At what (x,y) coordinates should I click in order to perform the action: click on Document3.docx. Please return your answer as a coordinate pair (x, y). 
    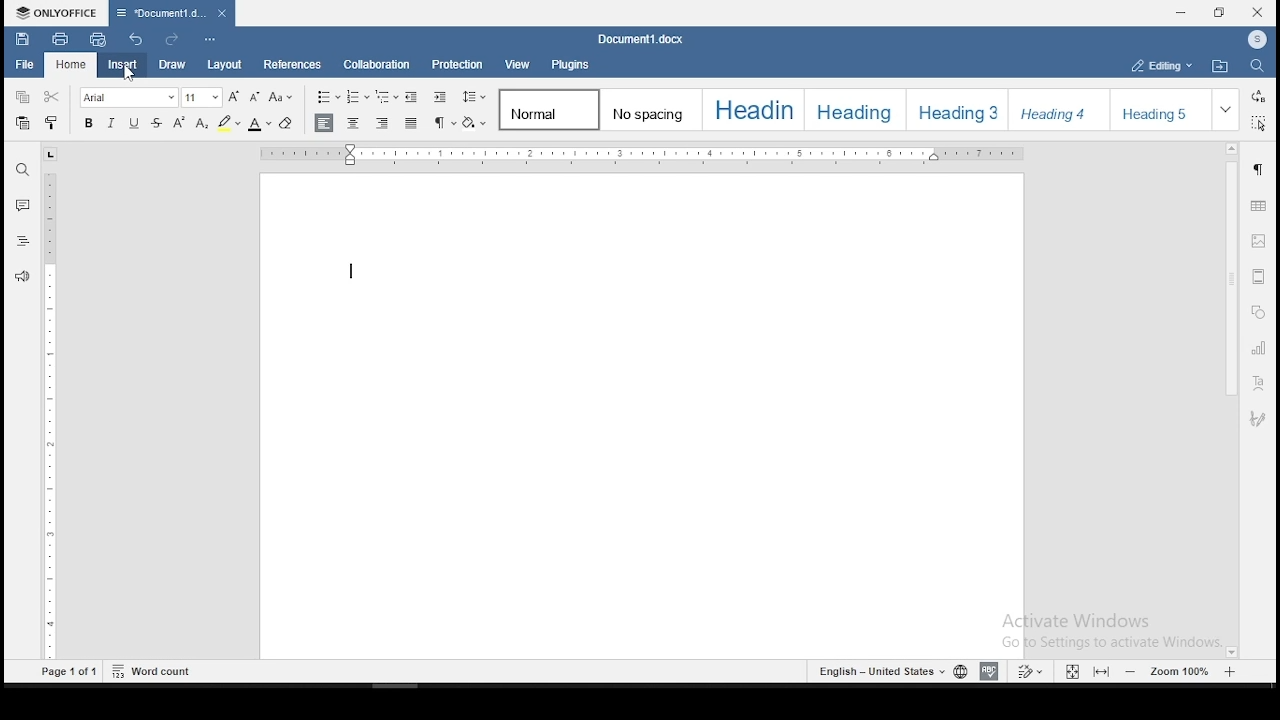
    Looking at the image, I should click on (644, 39).